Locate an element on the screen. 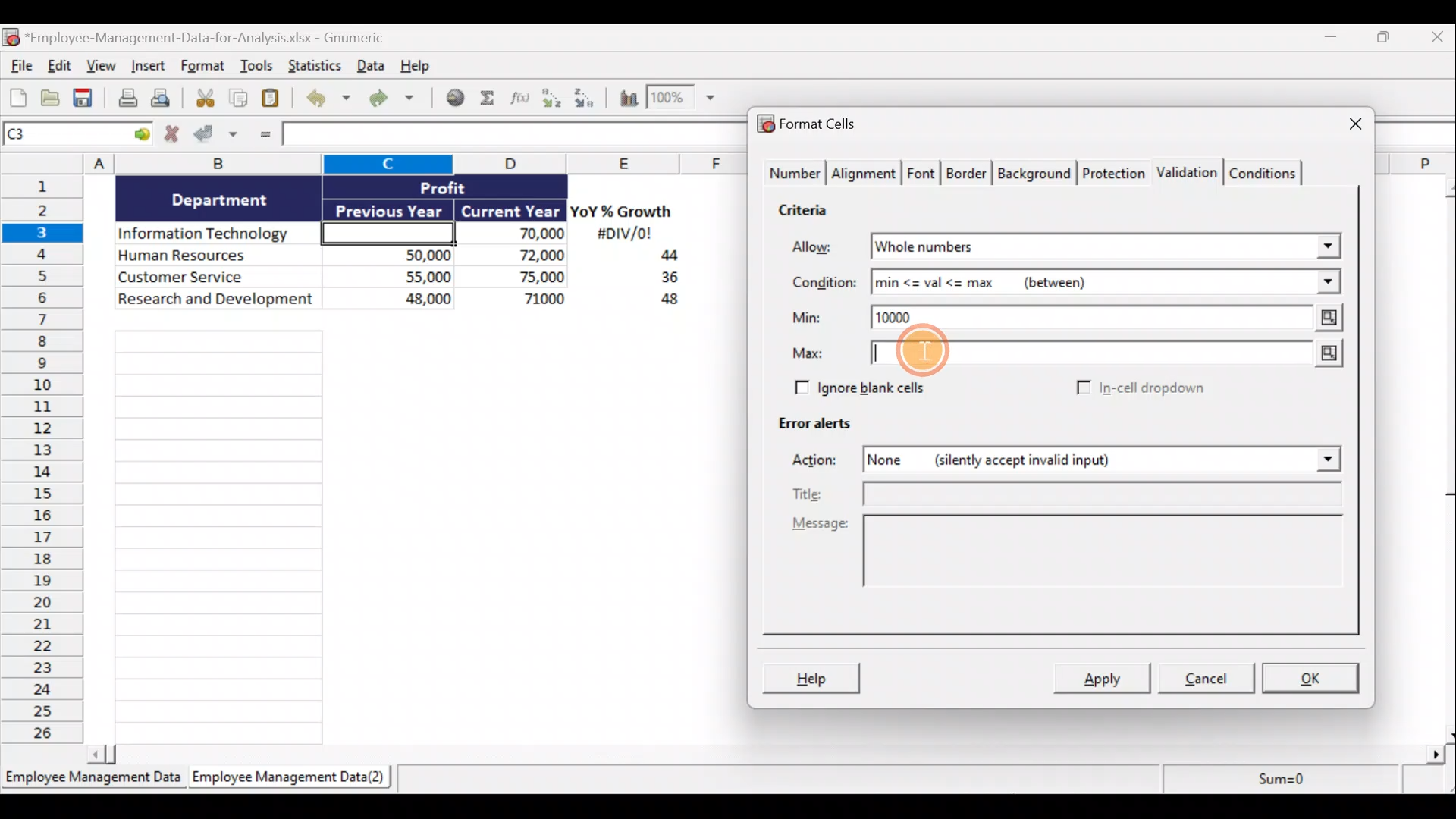 The image size is (1456, 819). Undo last action is located at coordinates (331, 99).